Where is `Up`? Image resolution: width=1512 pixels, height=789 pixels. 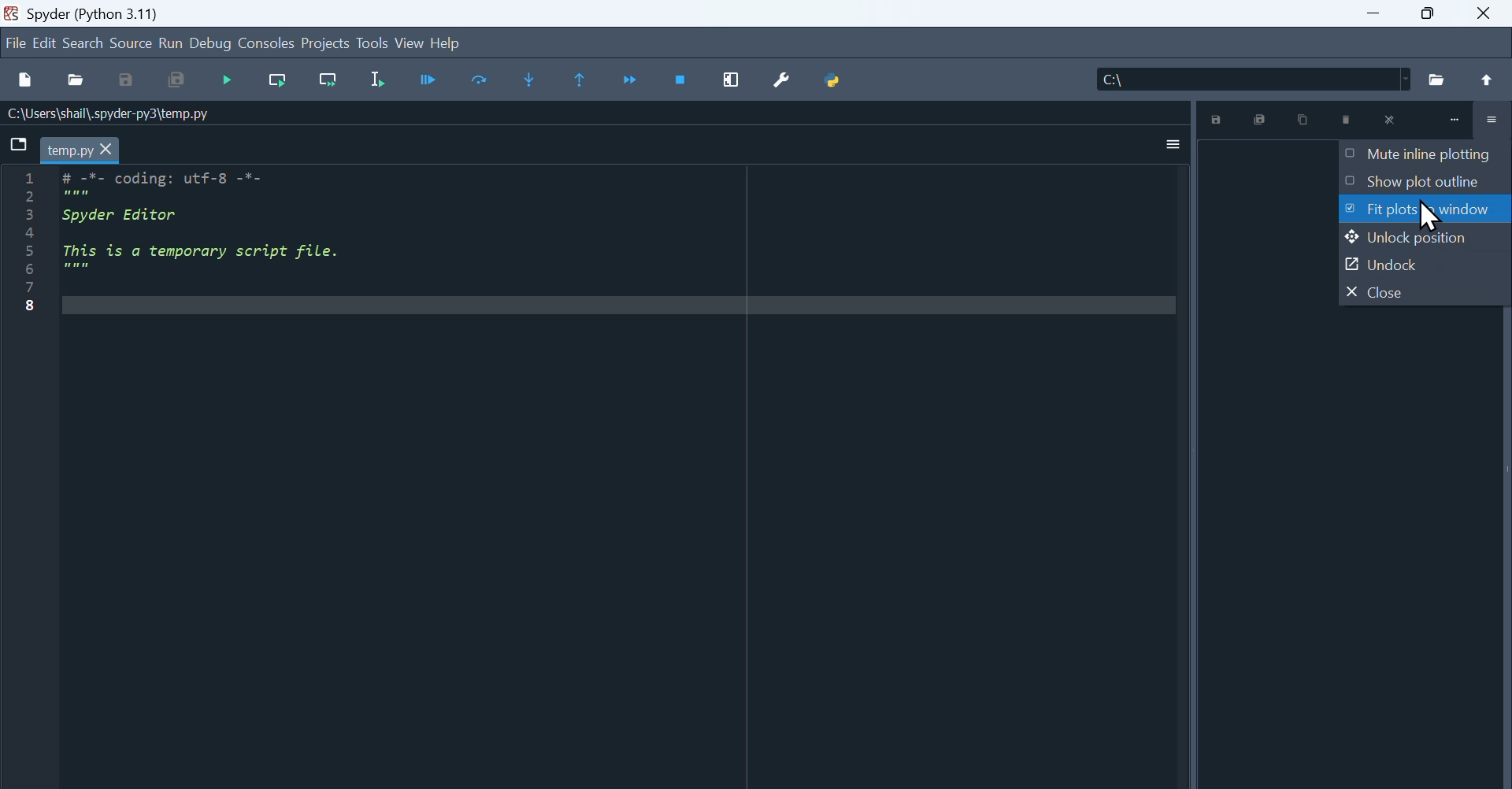 Up is located at coordinates (1489, 80).